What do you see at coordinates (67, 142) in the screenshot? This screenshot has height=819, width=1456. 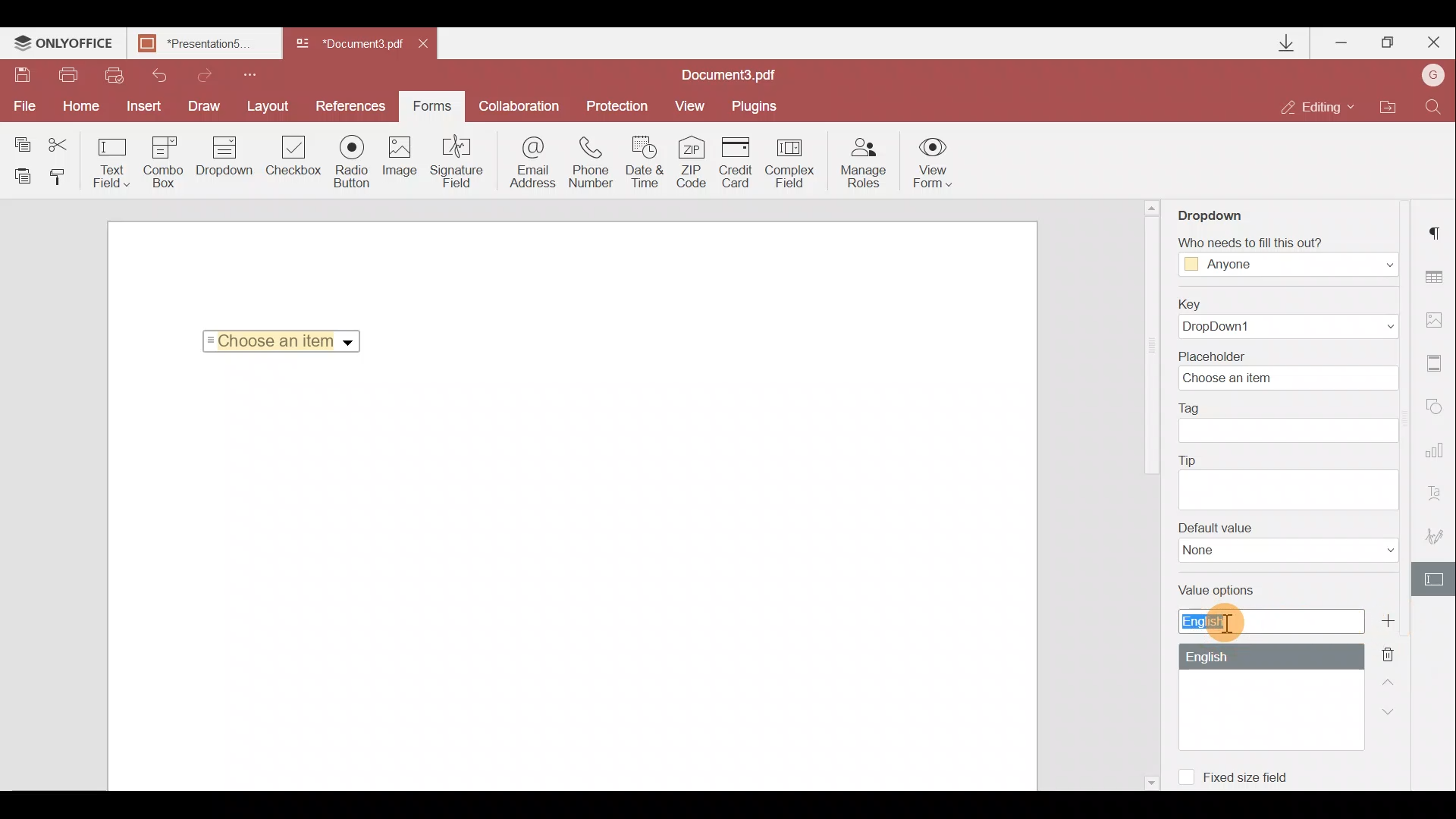 I see `Cut` at bounding box center [67, 142].